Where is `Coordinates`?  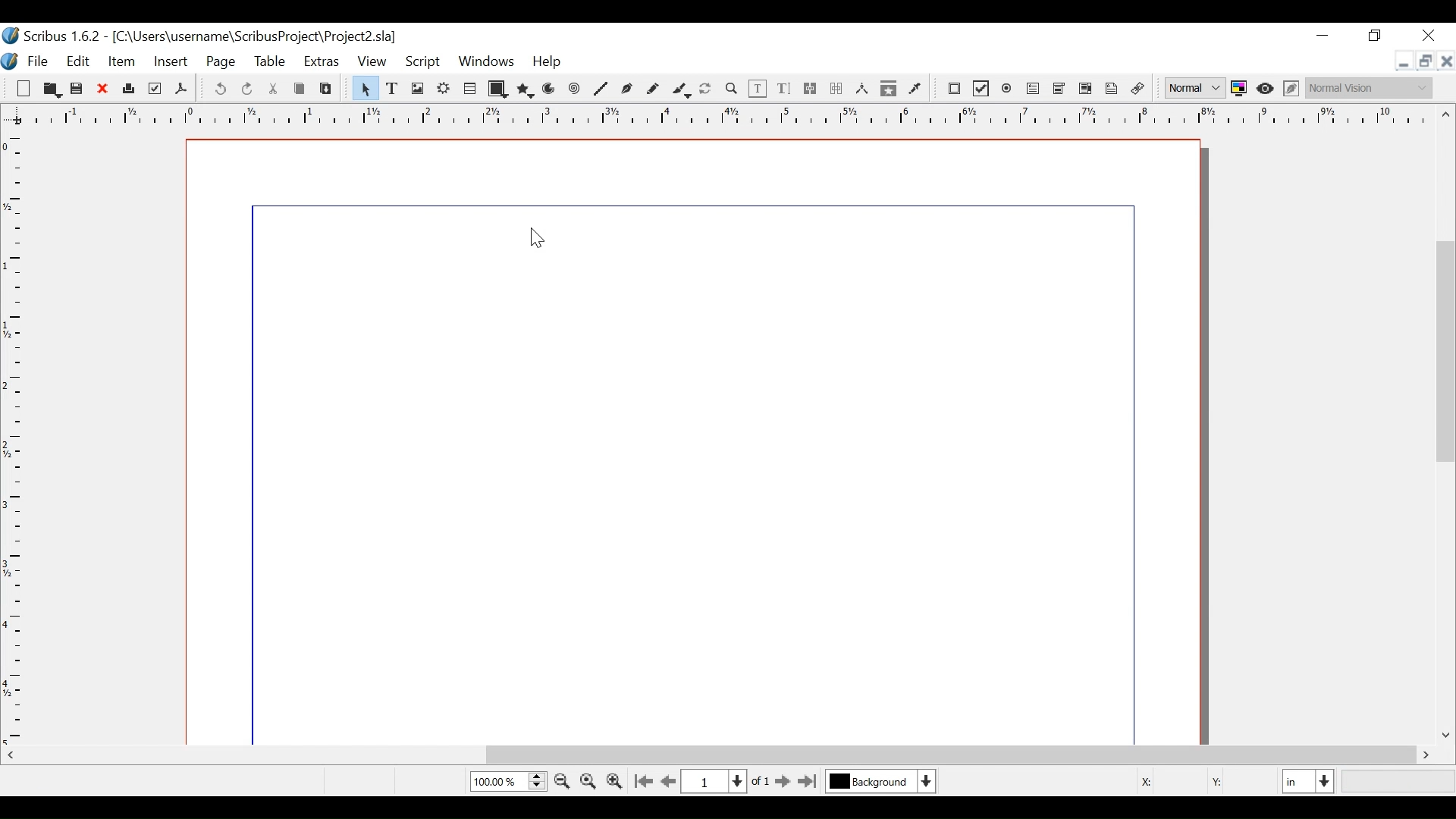 Coordinates is located at coordinates (1197, 780).